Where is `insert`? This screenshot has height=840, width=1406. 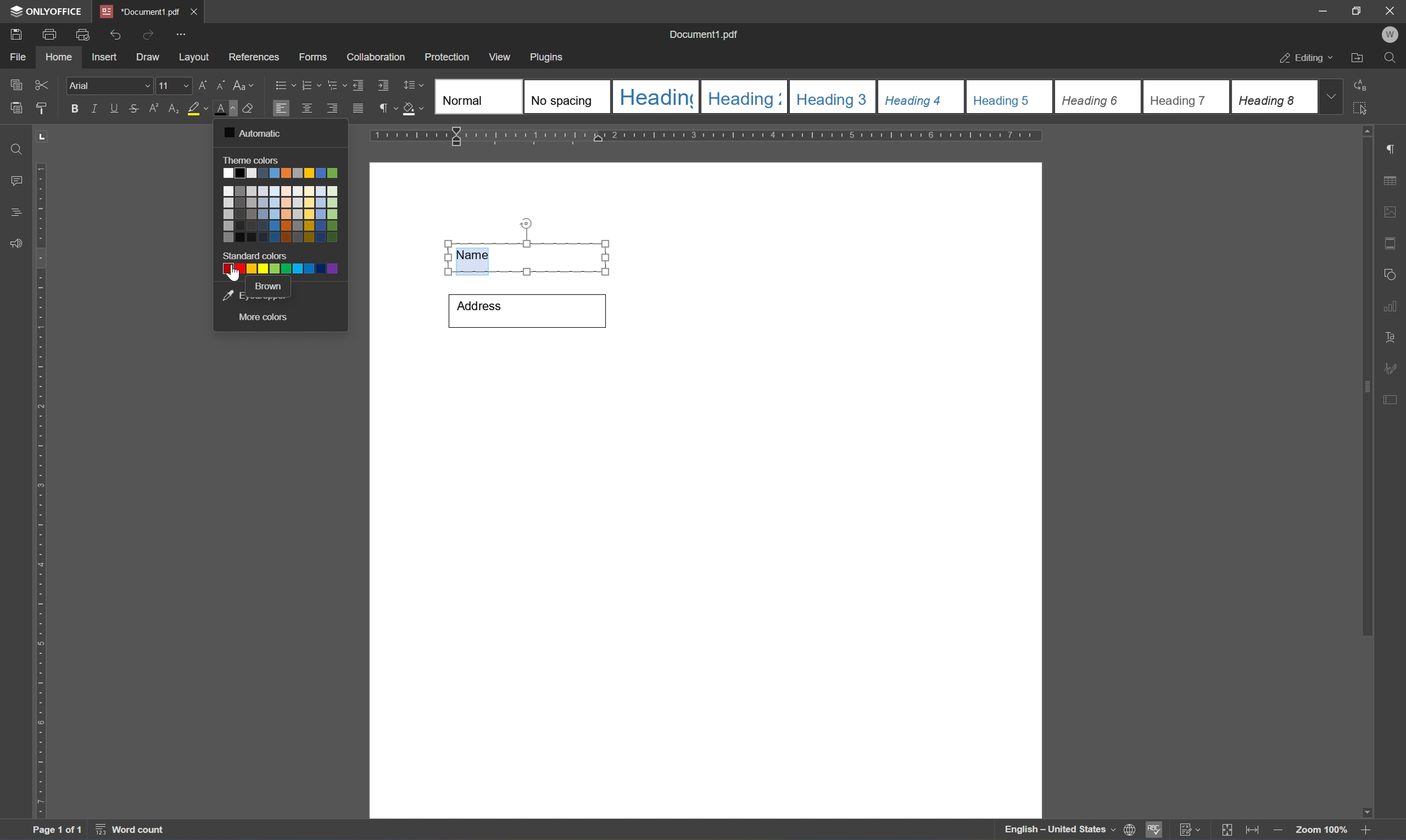 insert is located at coordinates (110, 58).